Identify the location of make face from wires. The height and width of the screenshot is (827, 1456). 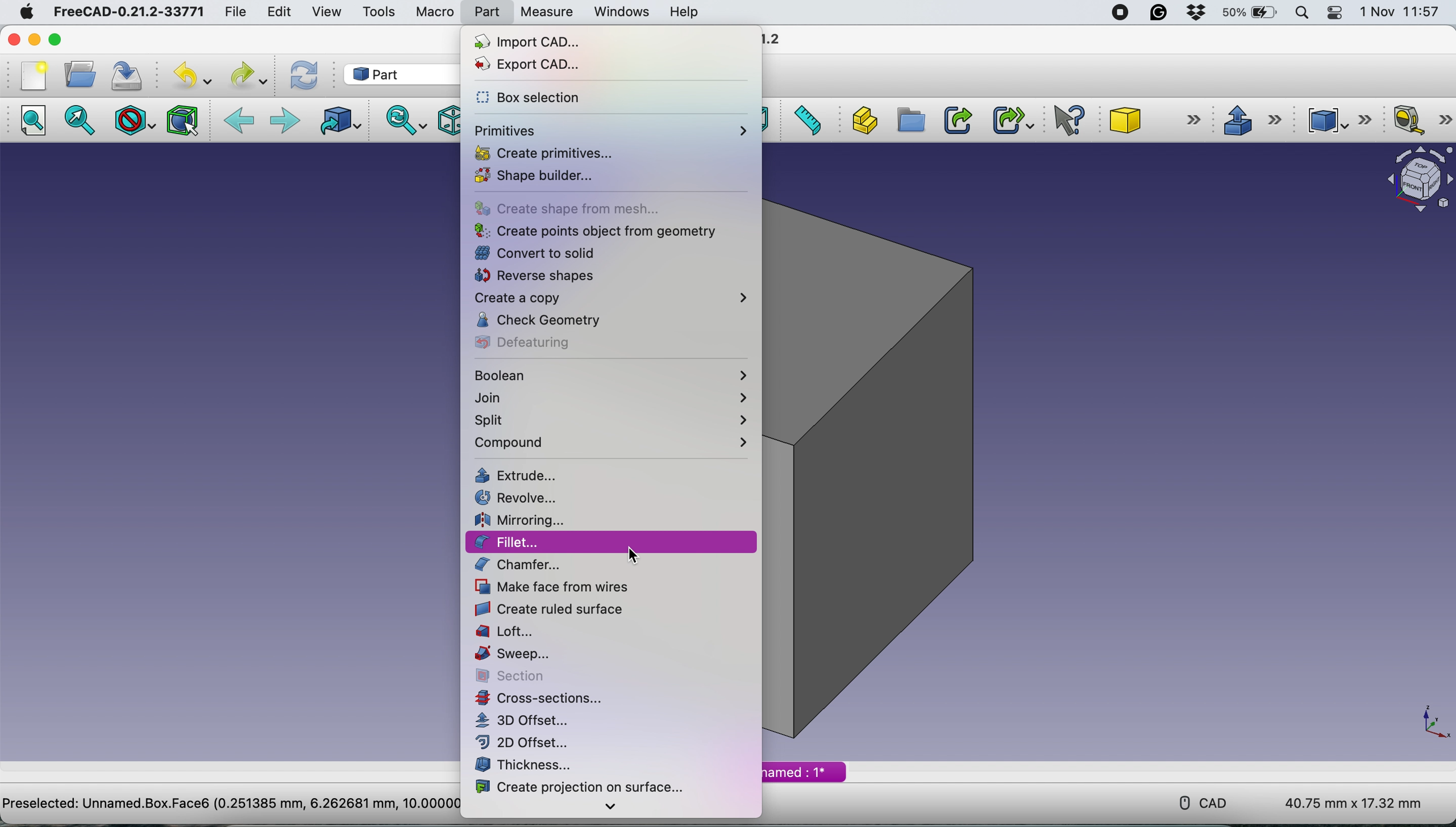
(556, 587).